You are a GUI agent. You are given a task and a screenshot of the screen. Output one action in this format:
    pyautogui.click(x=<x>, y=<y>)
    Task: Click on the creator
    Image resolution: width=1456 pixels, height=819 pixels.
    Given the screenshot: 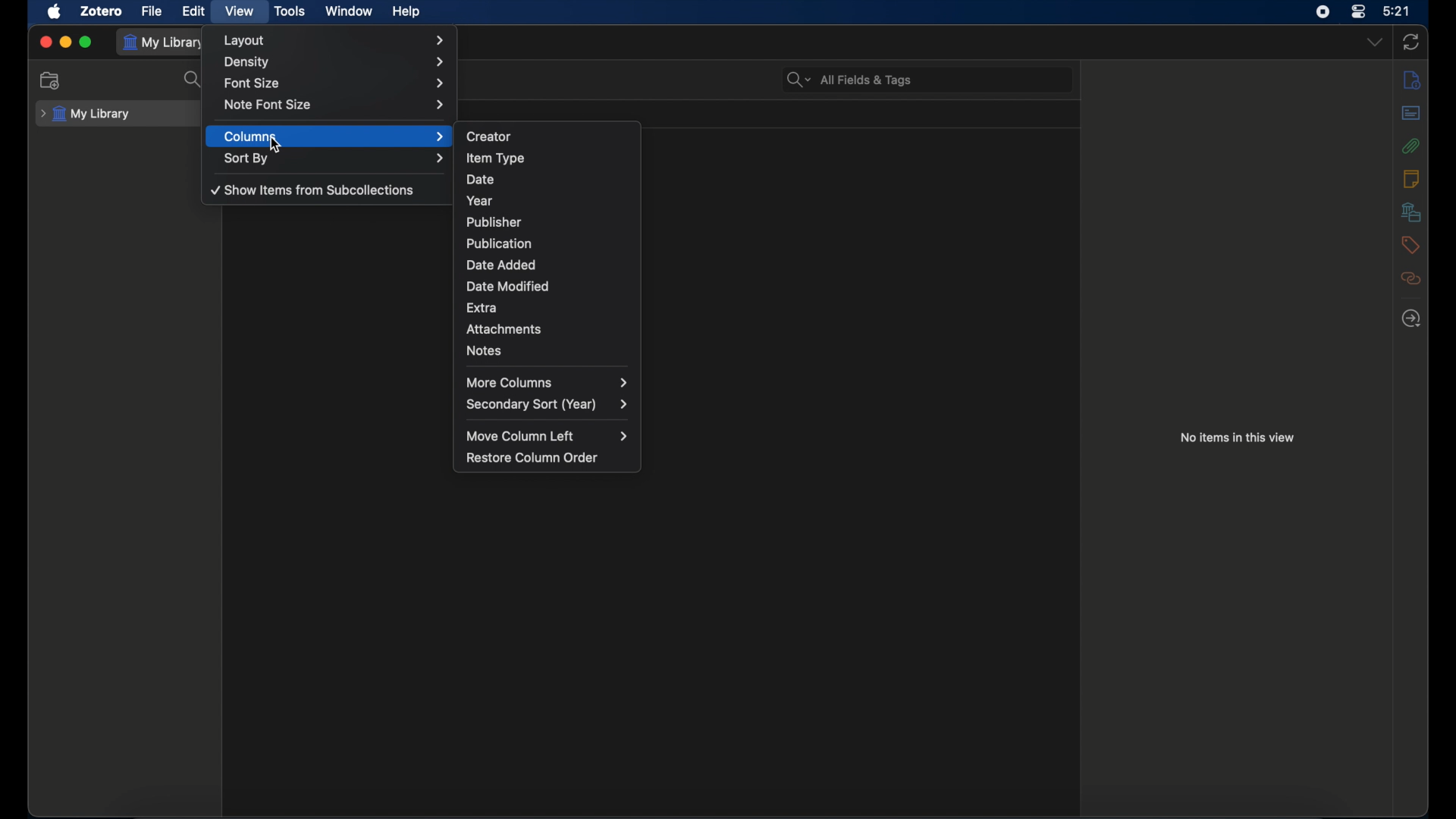 What is the action you would take?
    pyautogui.click(x=551, y=134)
    